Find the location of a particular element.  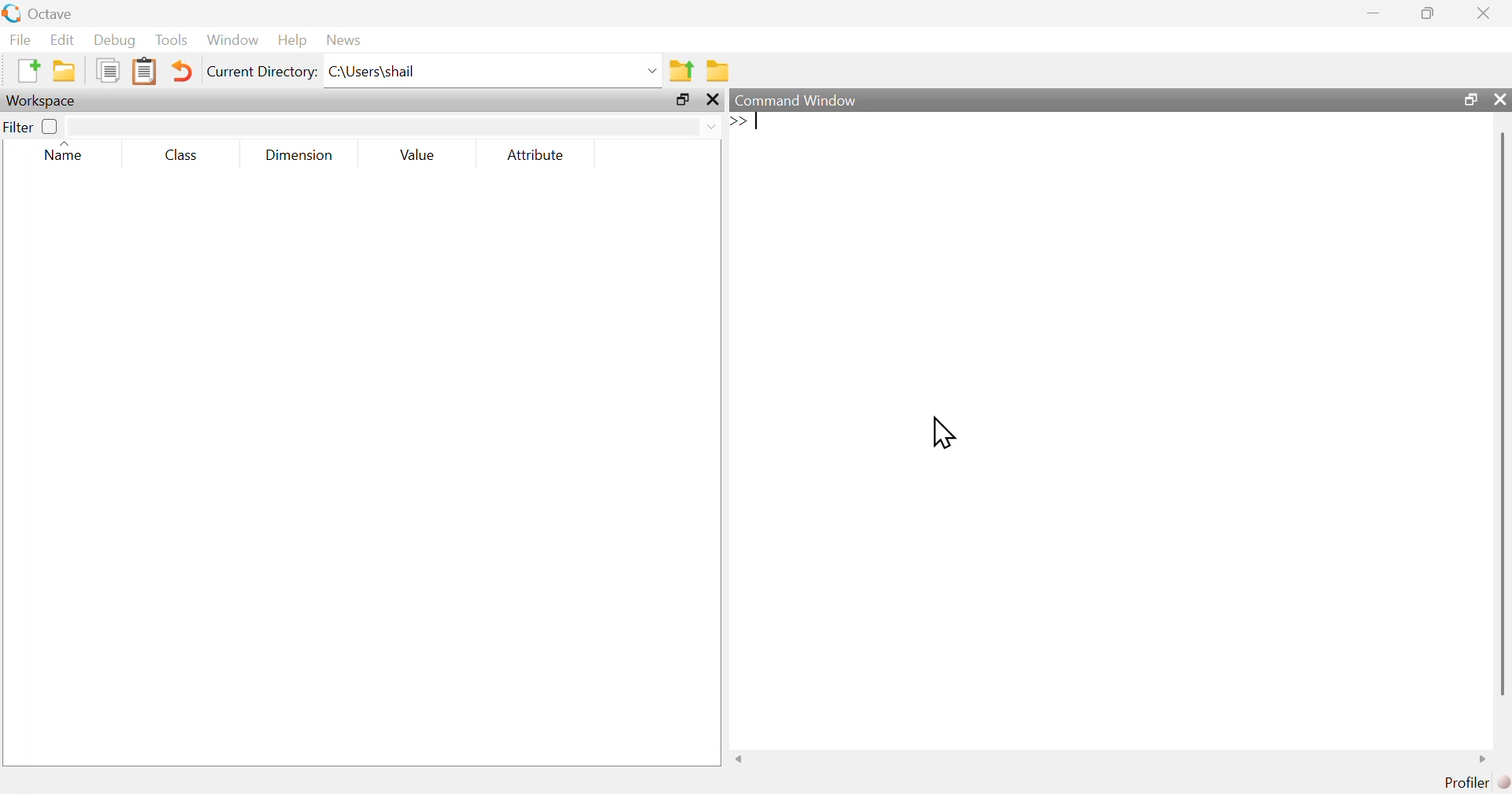

maximize is located at coordinates (682, 100).